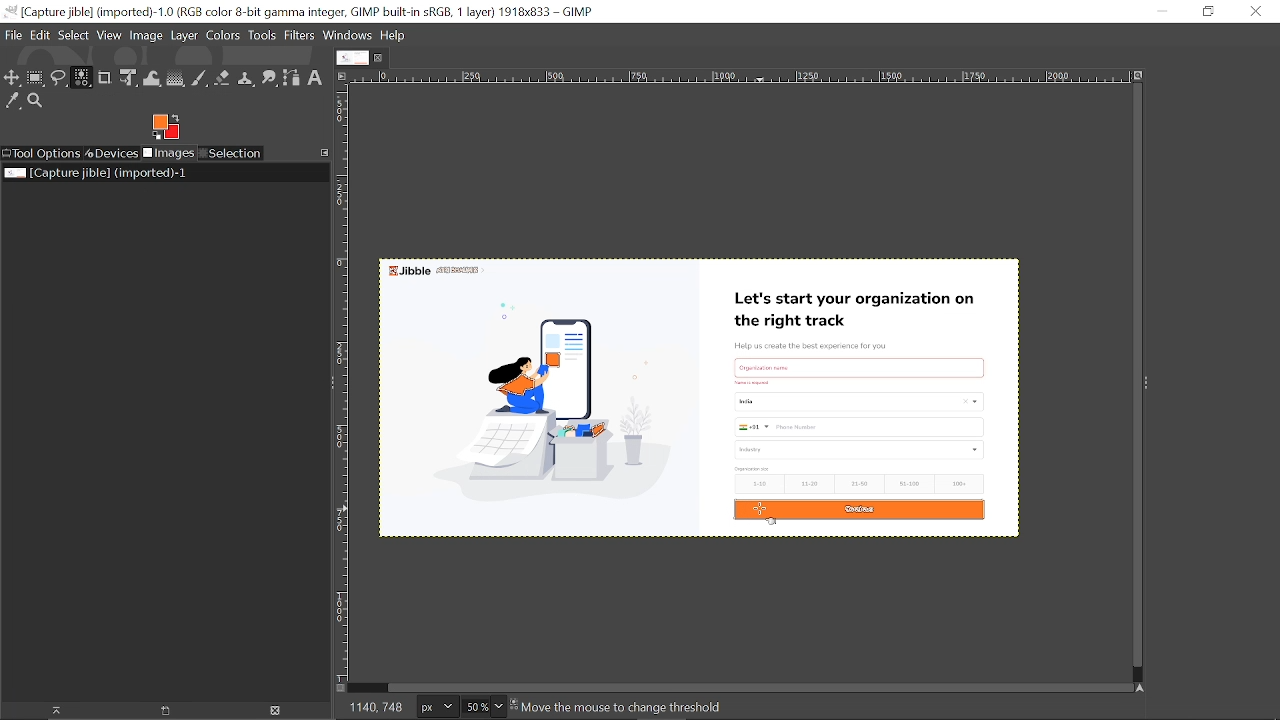  What do you see at coordinates (105, 77) in the screenshot?
I see `Crop tool` at bounding box center [105, 77].